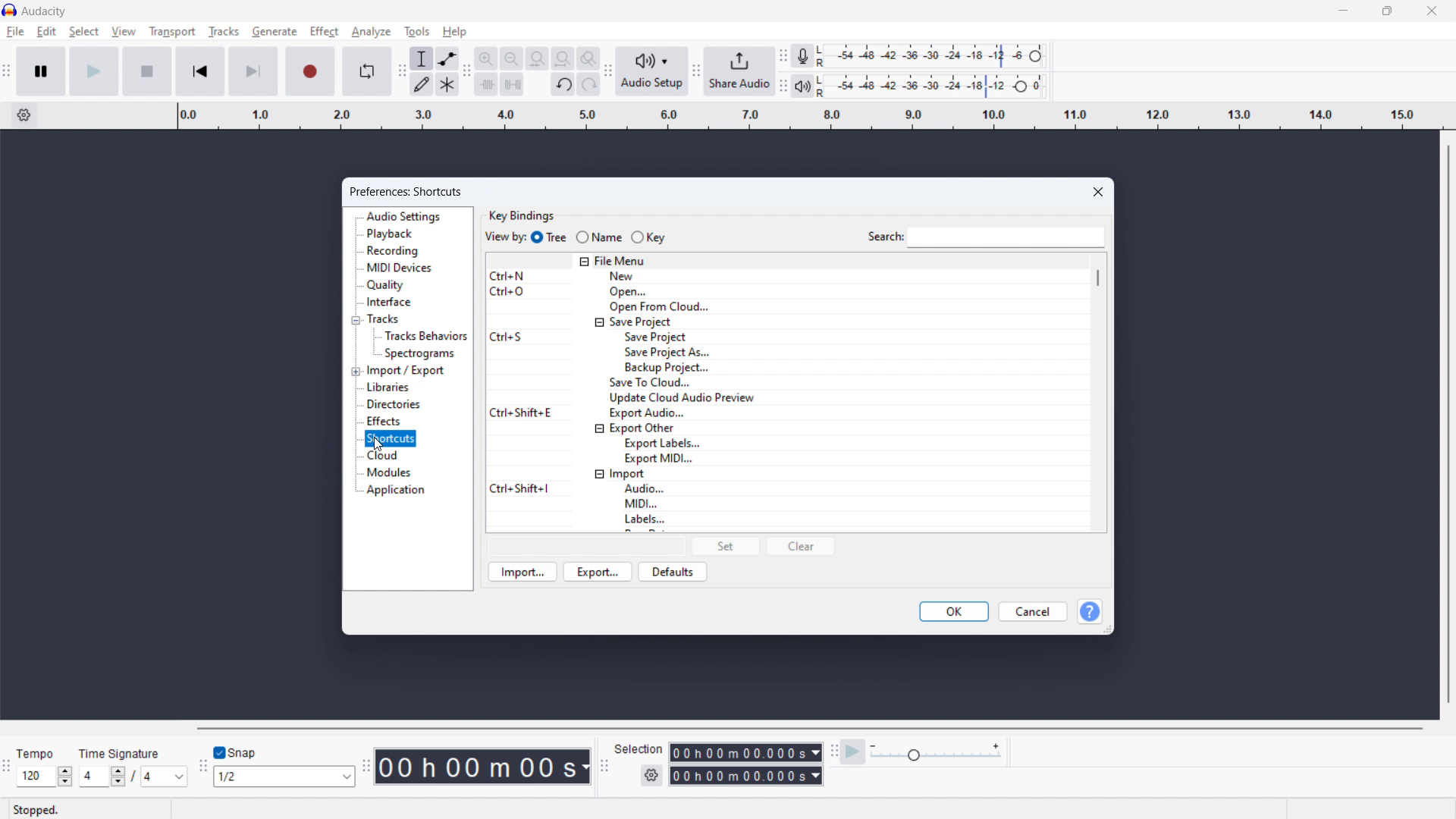  I want to click on actions for shortcuts, so click(689, 394).